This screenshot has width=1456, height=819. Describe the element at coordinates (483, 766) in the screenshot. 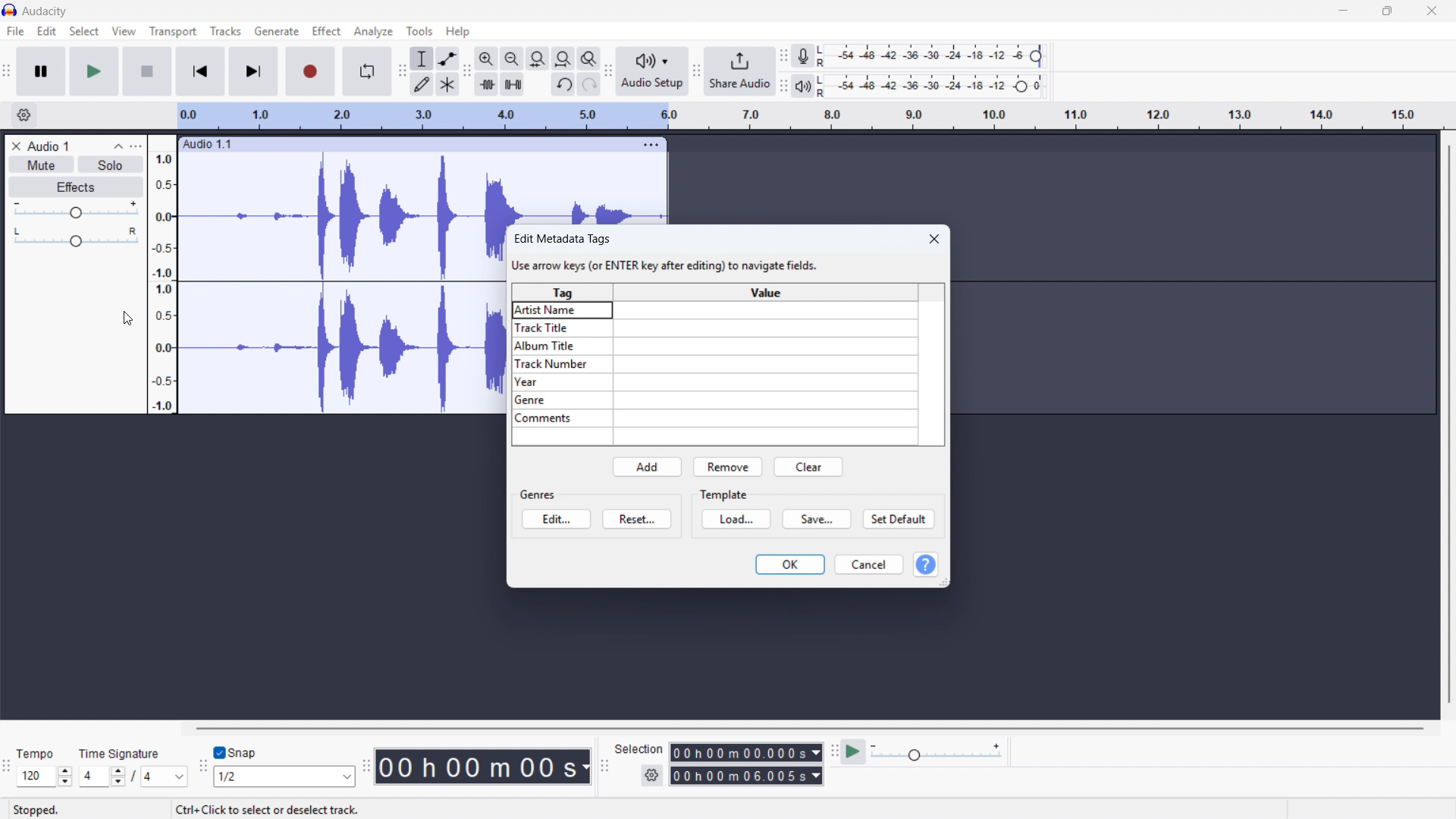

I see `timestamp` at that location.